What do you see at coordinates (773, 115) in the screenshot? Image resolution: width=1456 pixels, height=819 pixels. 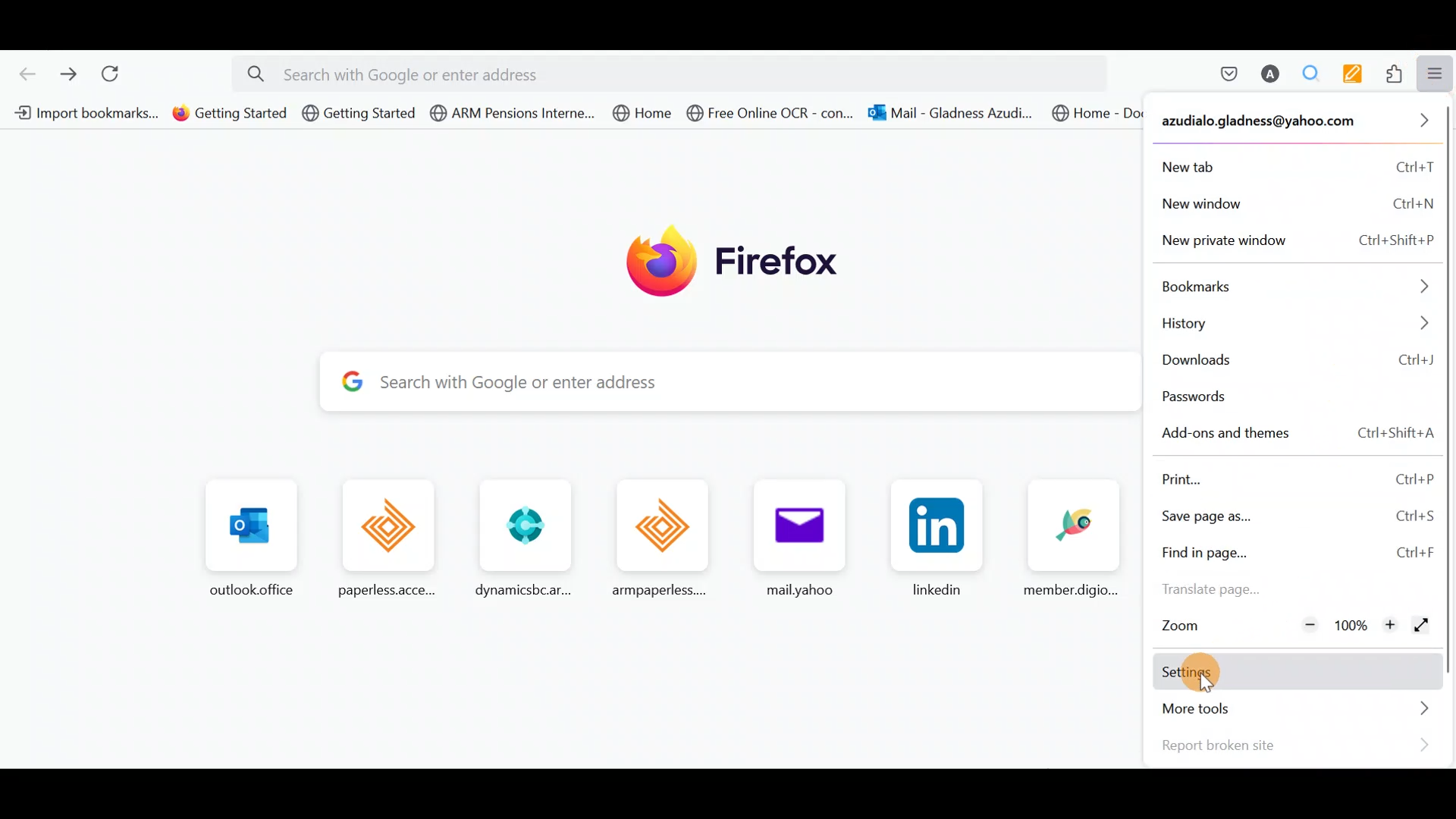 I see `@ Free Online OCR - con...` at bounding box center [773, 115].